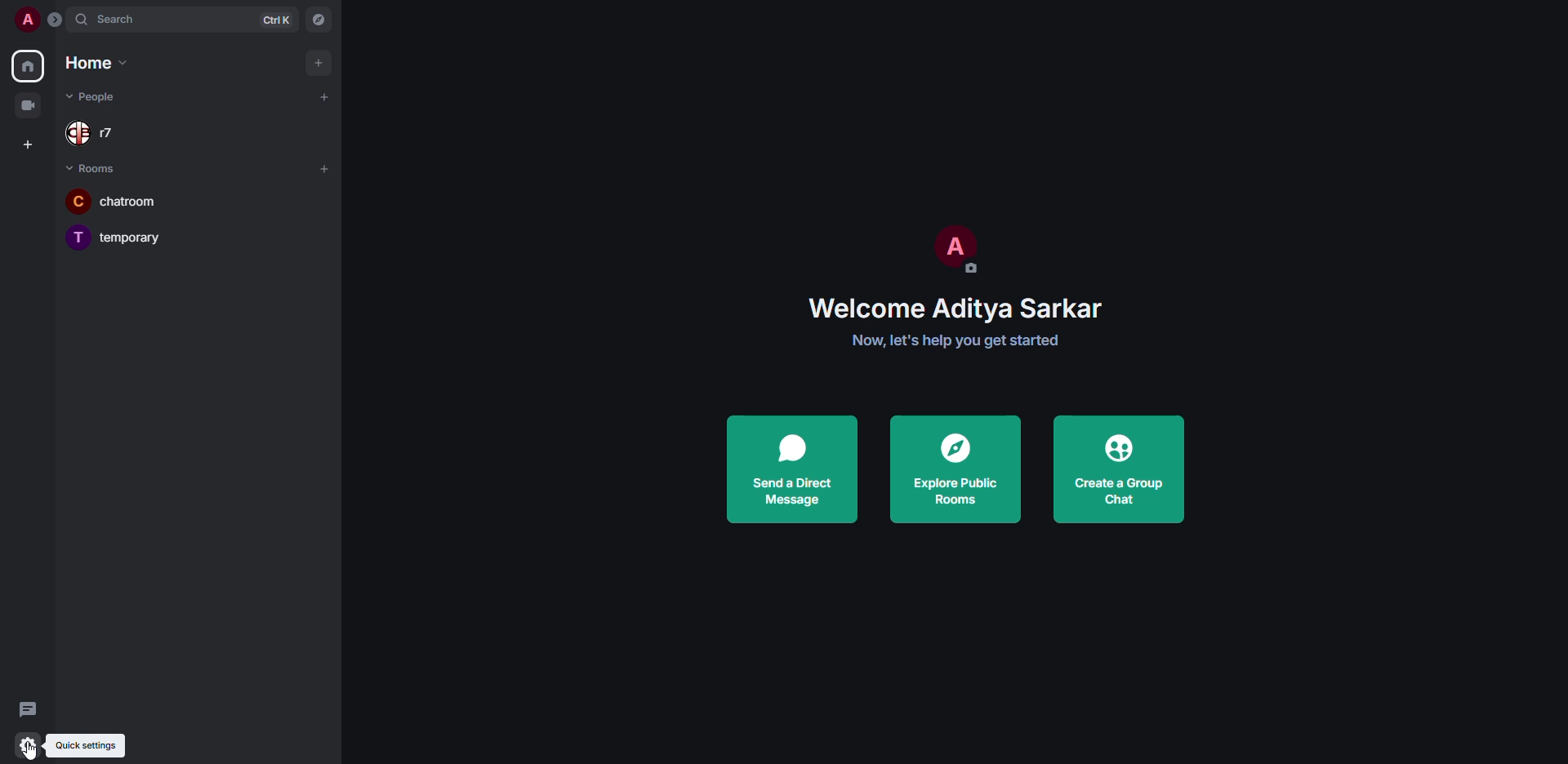 The image size is (1568, 764). What do you see at coordinates (792, 469) in the screenshot?
I see `send a direct message` at bounding box center [792, 469].